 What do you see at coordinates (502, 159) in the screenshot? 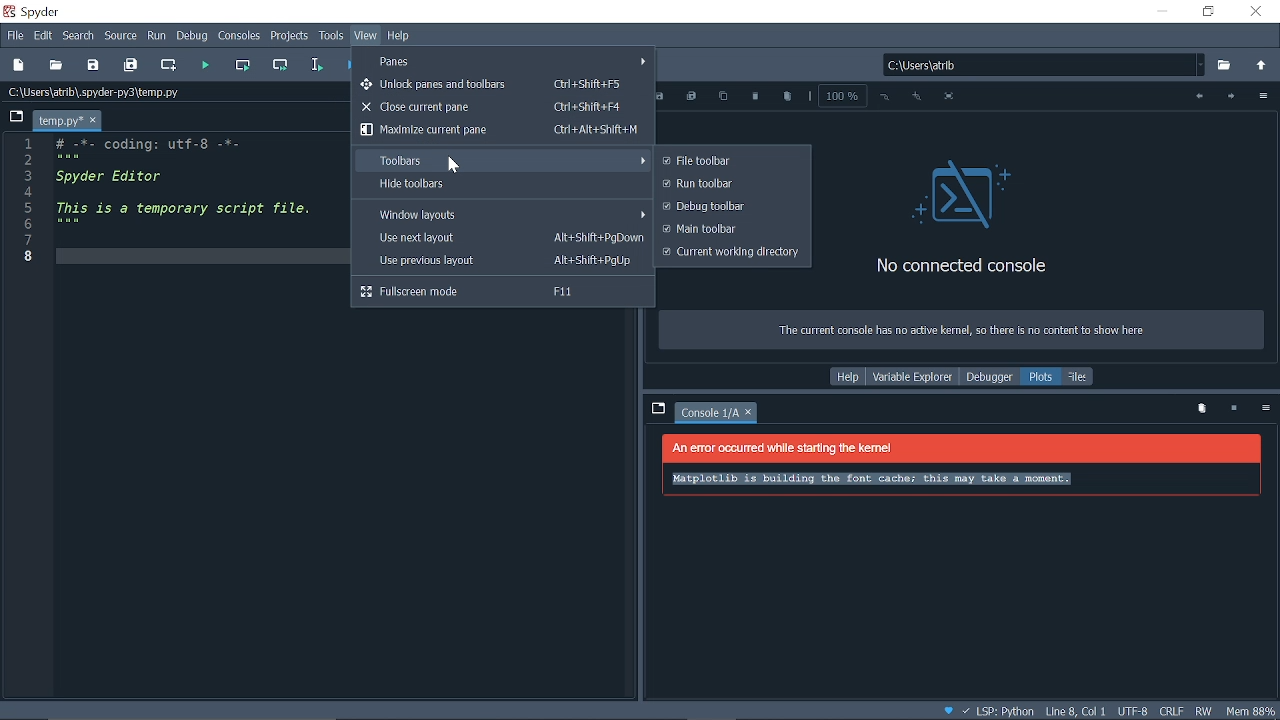
I see `Toolbars` at bounding box center [502, 159].